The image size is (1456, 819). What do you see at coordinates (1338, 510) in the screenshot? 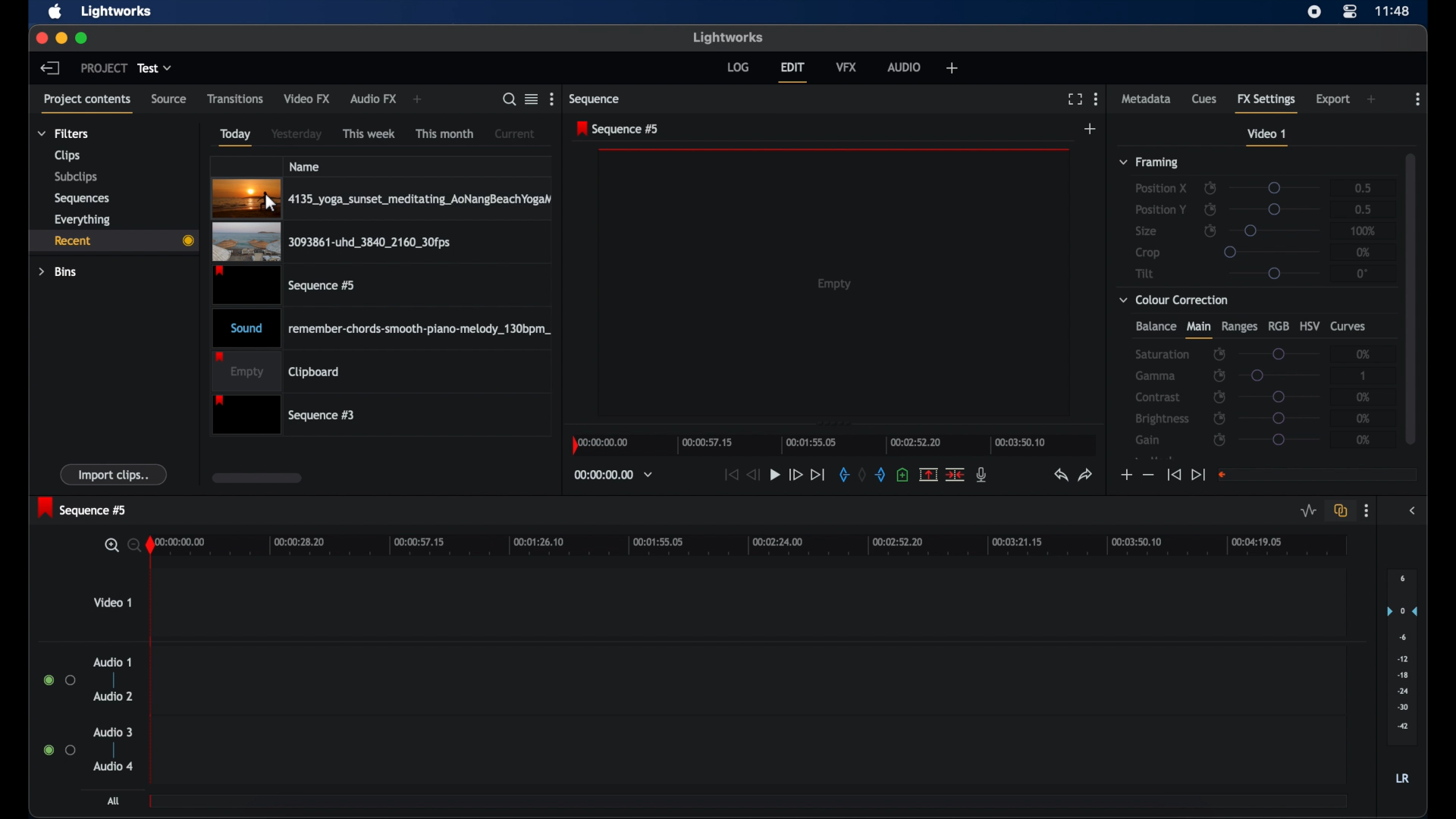
I see `toggle auto track sync` at bounding box center [1338, 510].